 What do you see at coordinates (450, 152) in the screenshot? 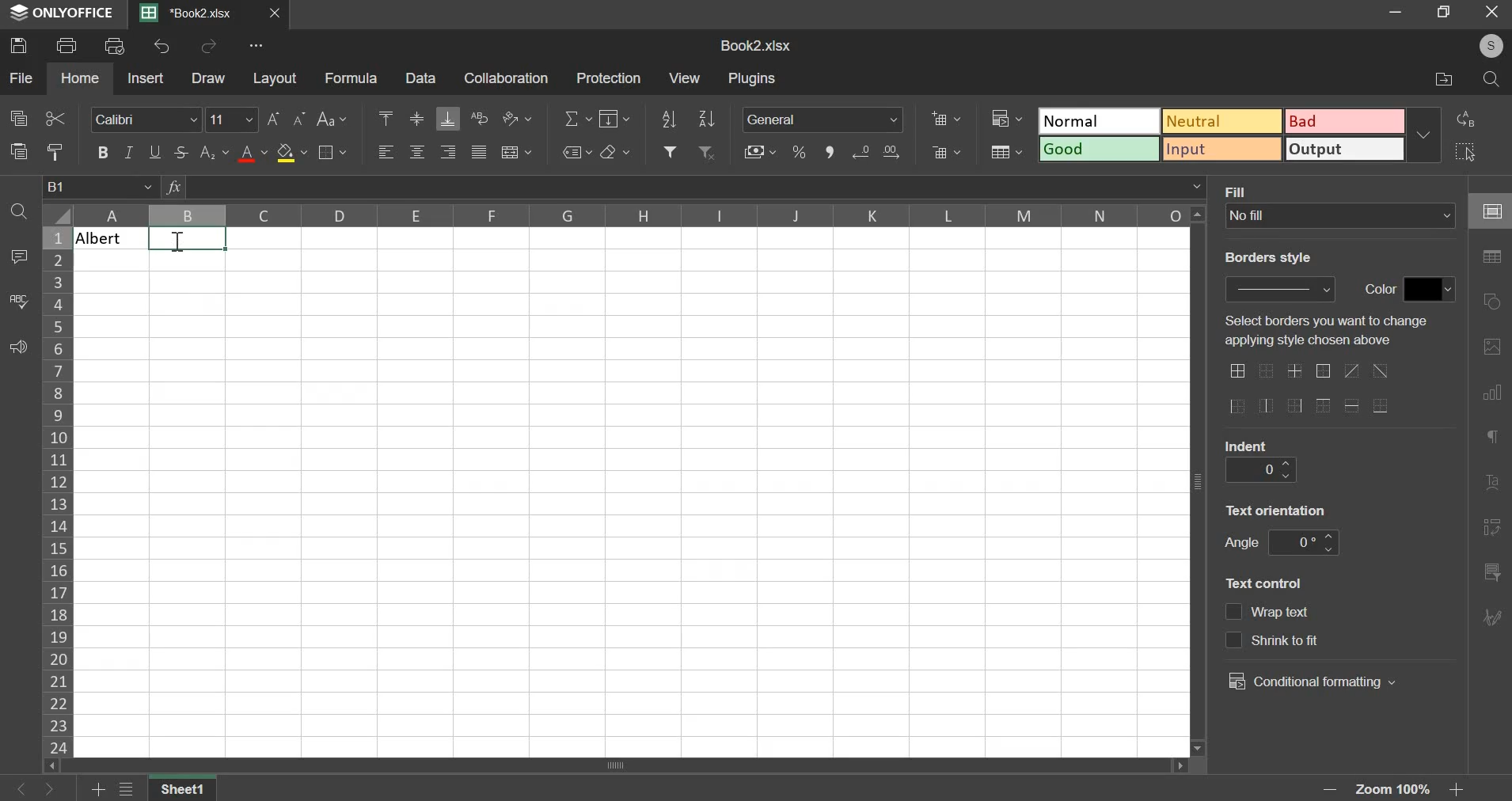
I see `align right` at bounding box center [450, 152].